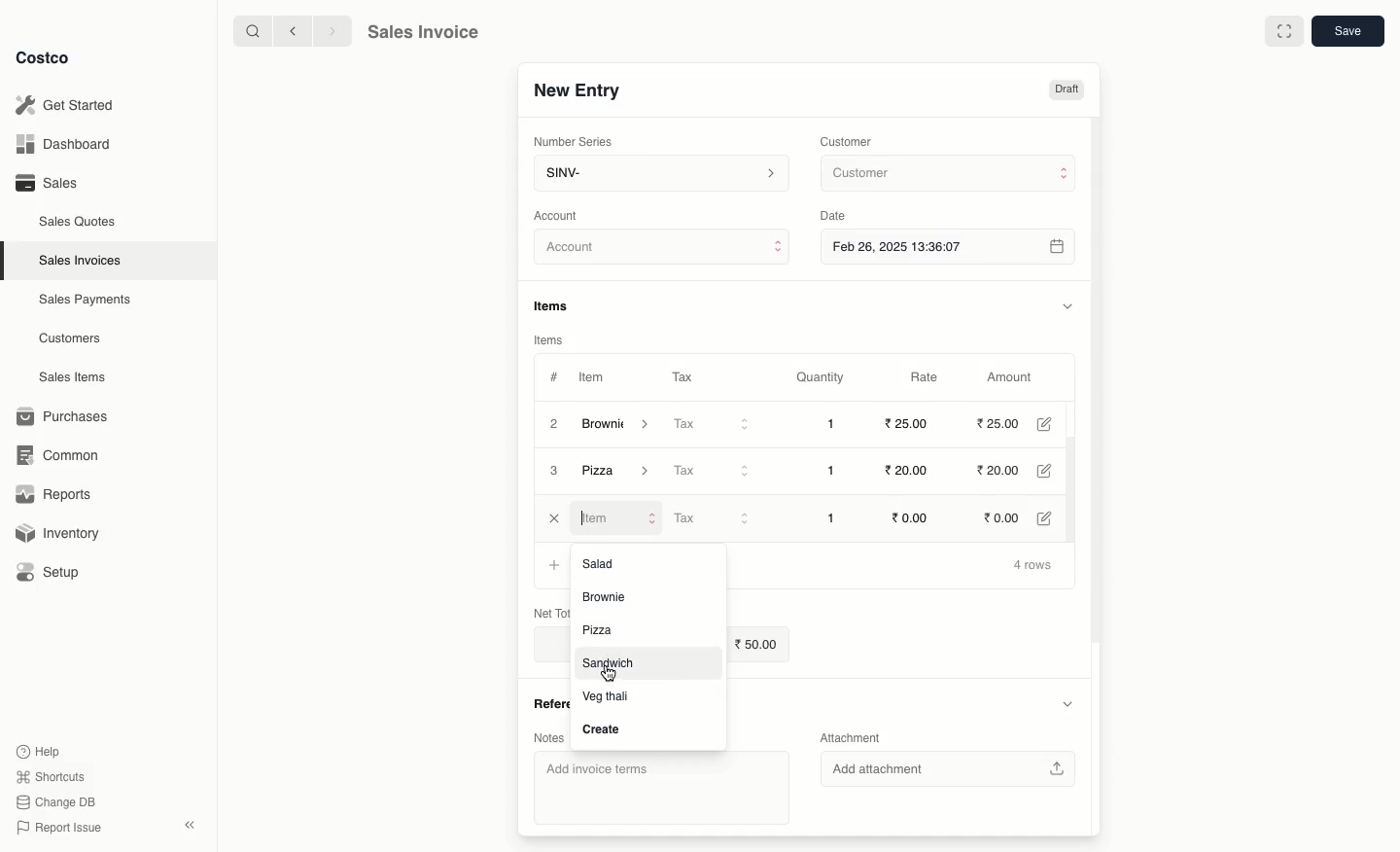 The height and width of the screenshot is (852, 1400). What do you see at coordinates (838, 216) in the screenshot?
I see `Date` at bounding box center [838, 216].